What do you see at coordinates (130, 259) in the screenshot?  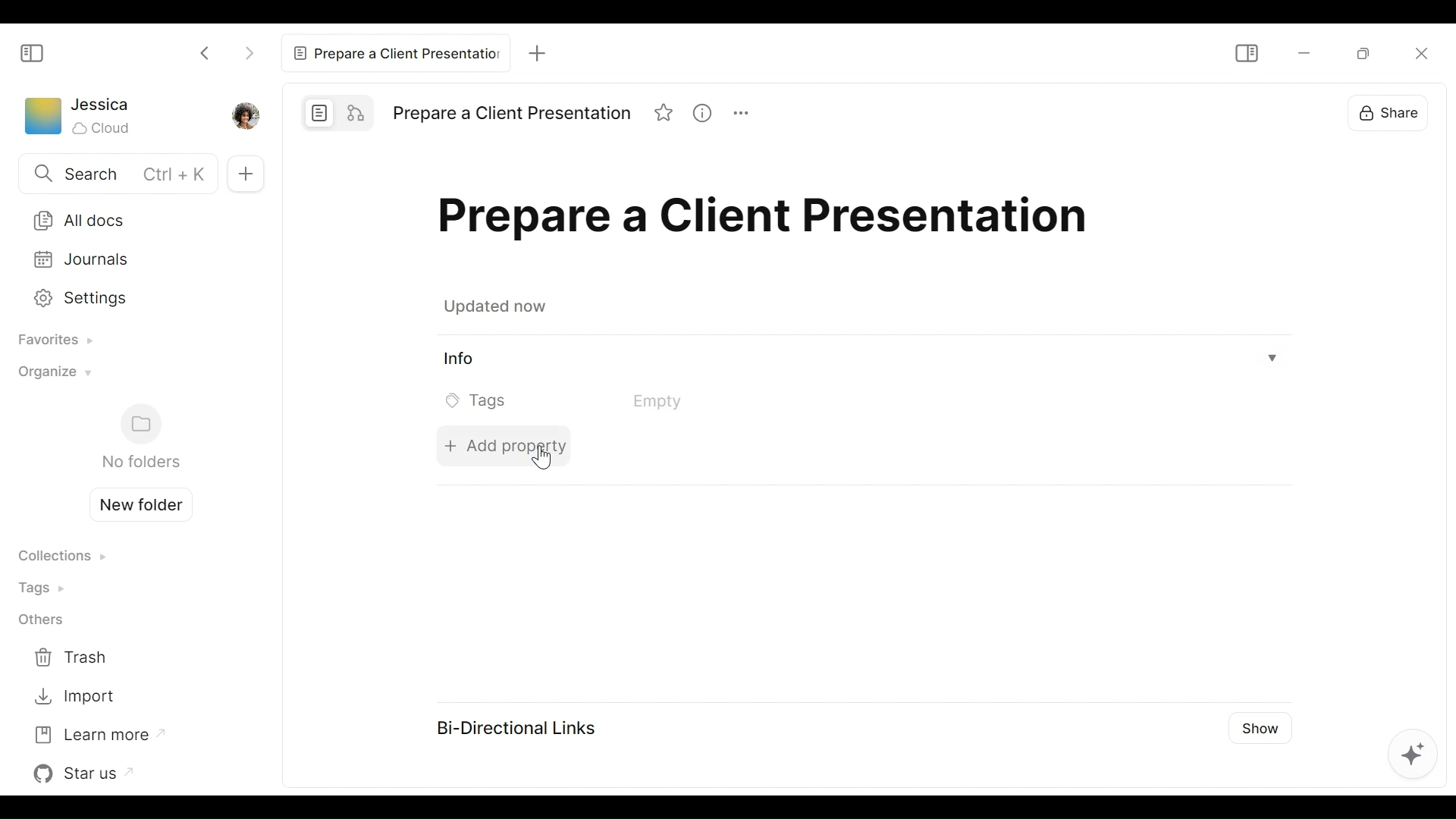 I see `Journals` at bounding box center [130, 259].